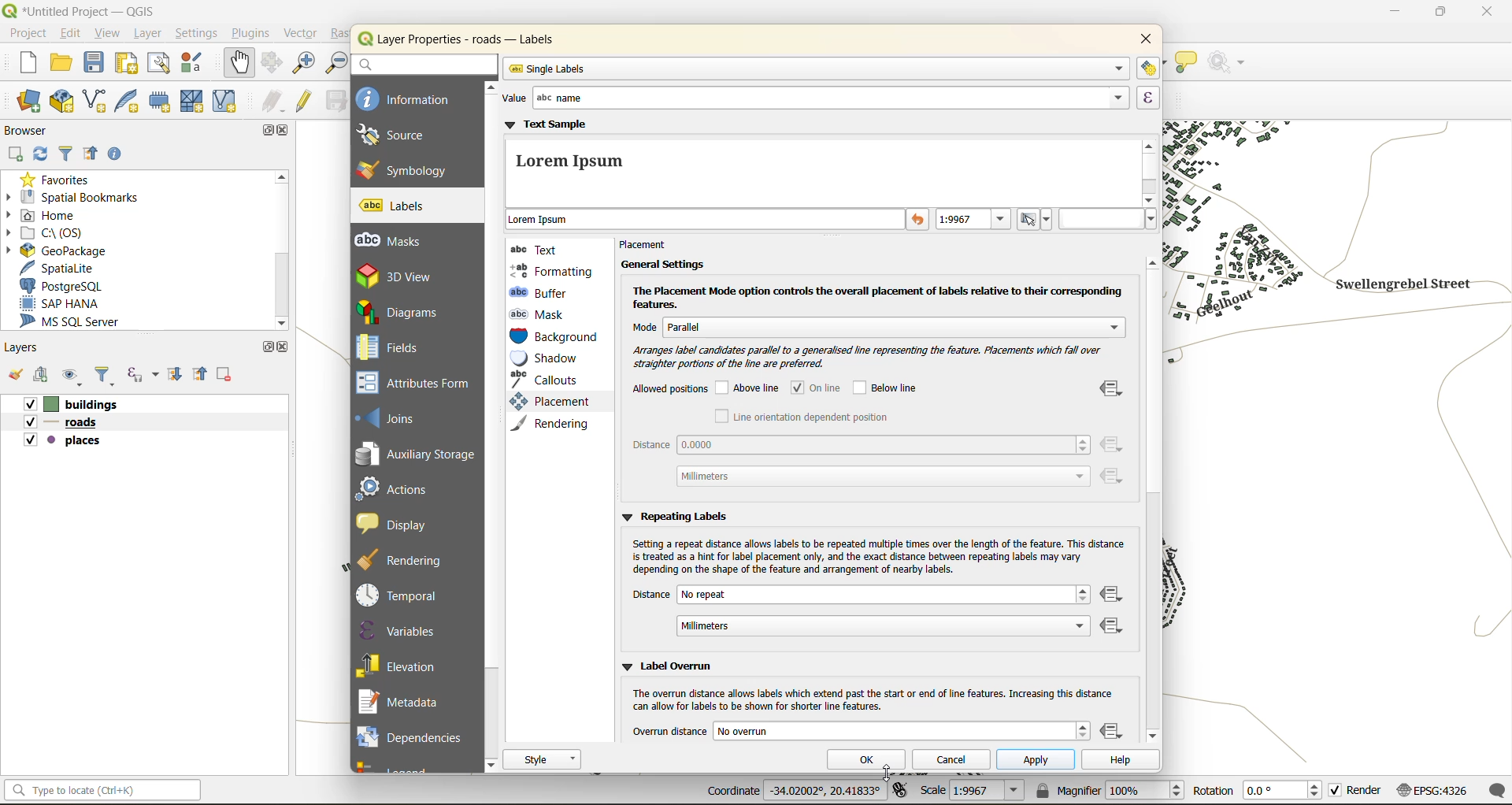  I want to click on labels, so click(395, 206).